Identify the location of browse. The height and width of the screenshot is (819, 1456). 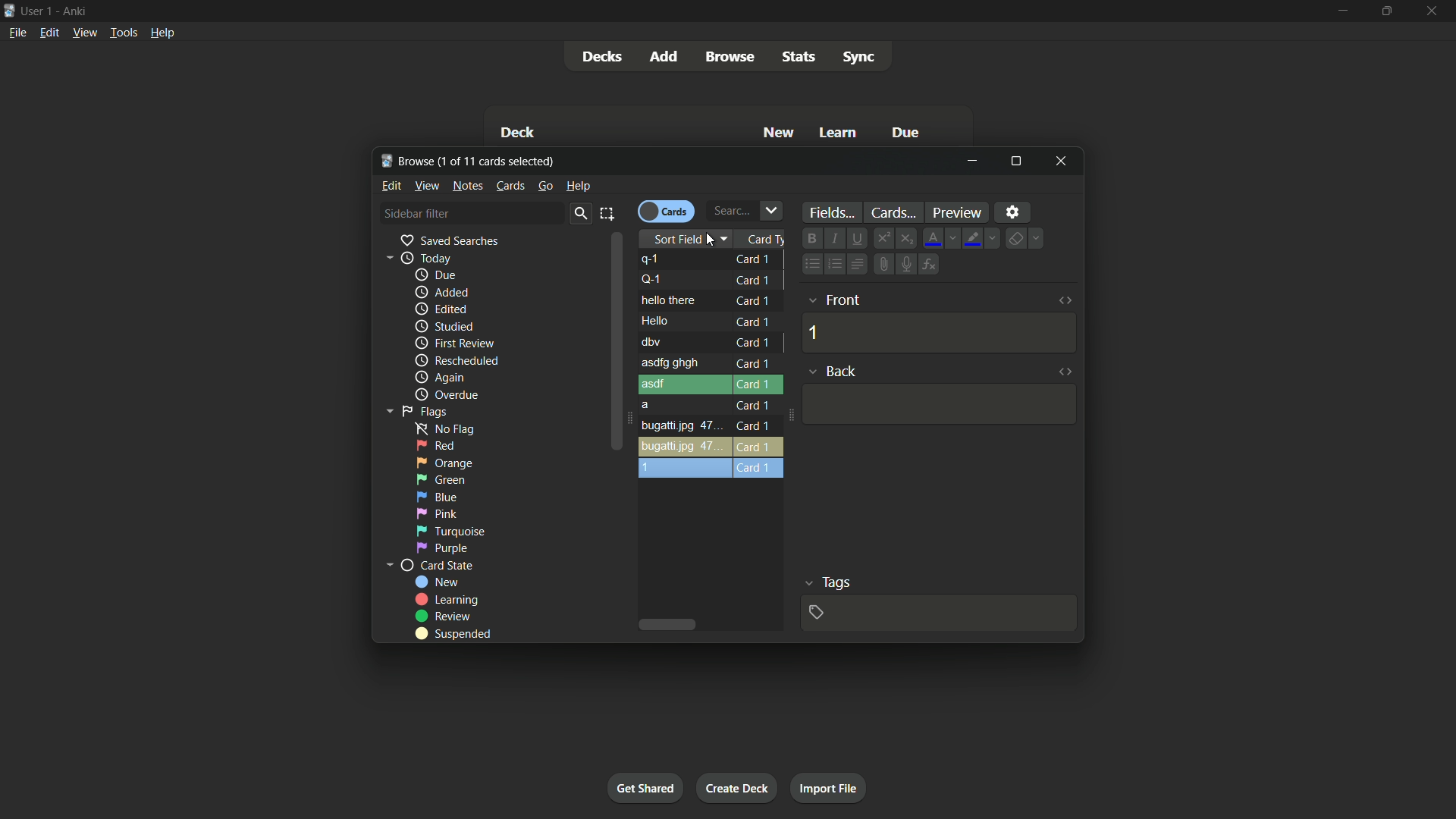
(471, 161).